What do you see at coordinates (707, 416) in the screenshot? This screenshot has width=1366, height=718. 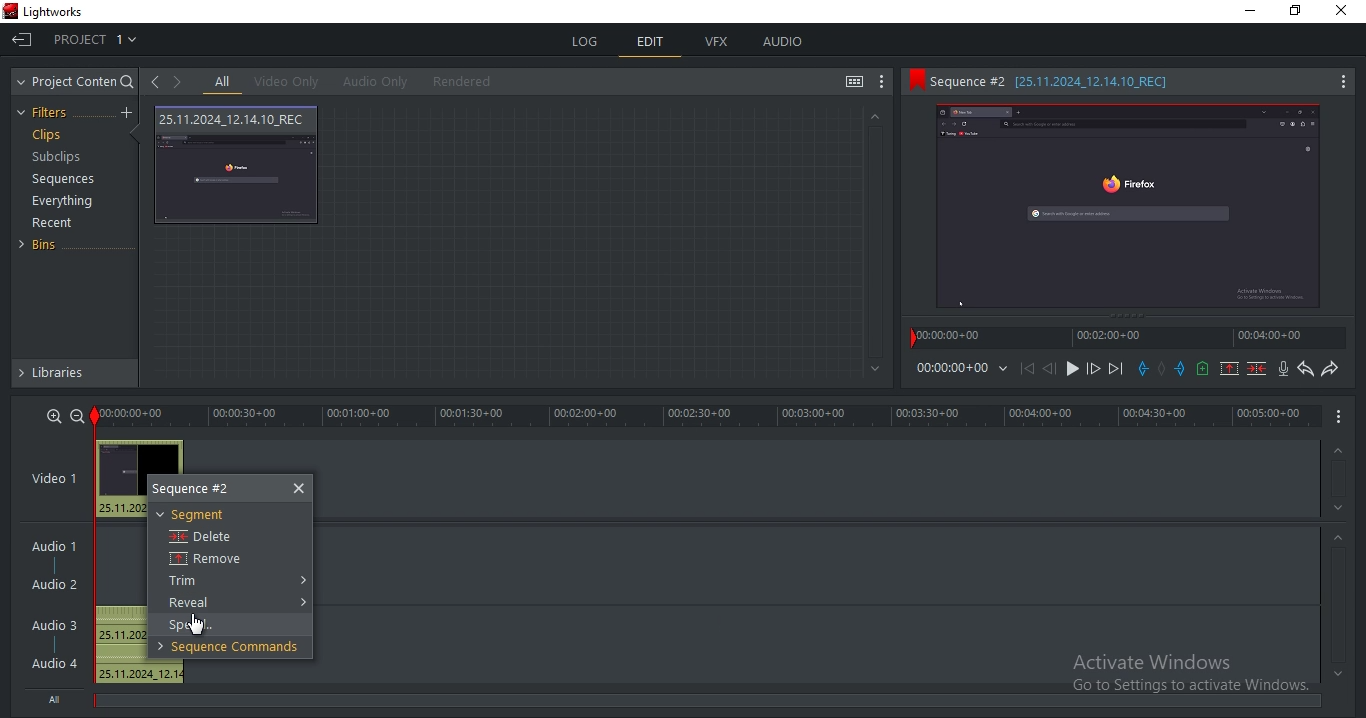 I see `timeline` at bounding box center [707, 416].